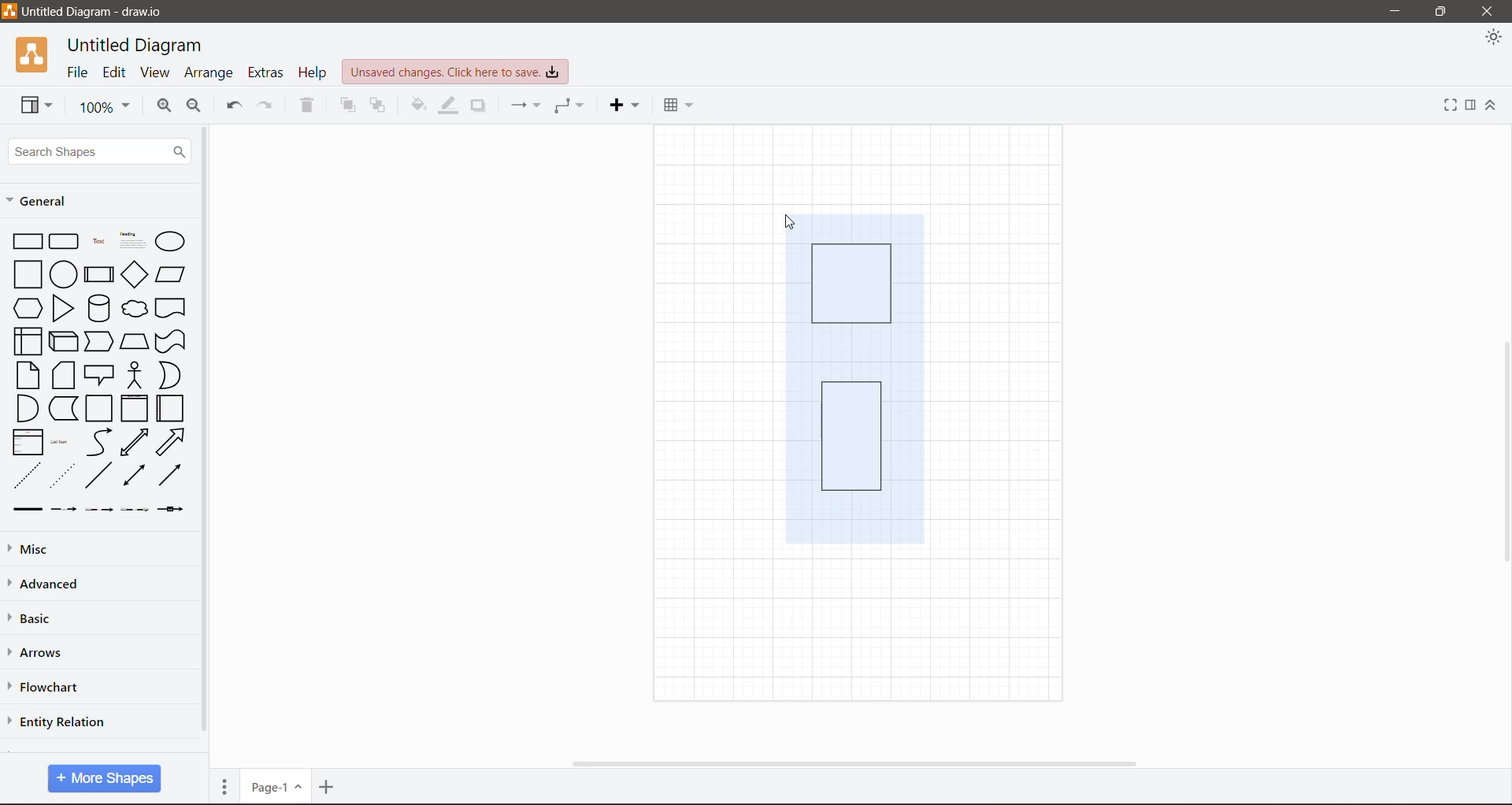  I want to click on Fullscreen, so click(1450, 105).